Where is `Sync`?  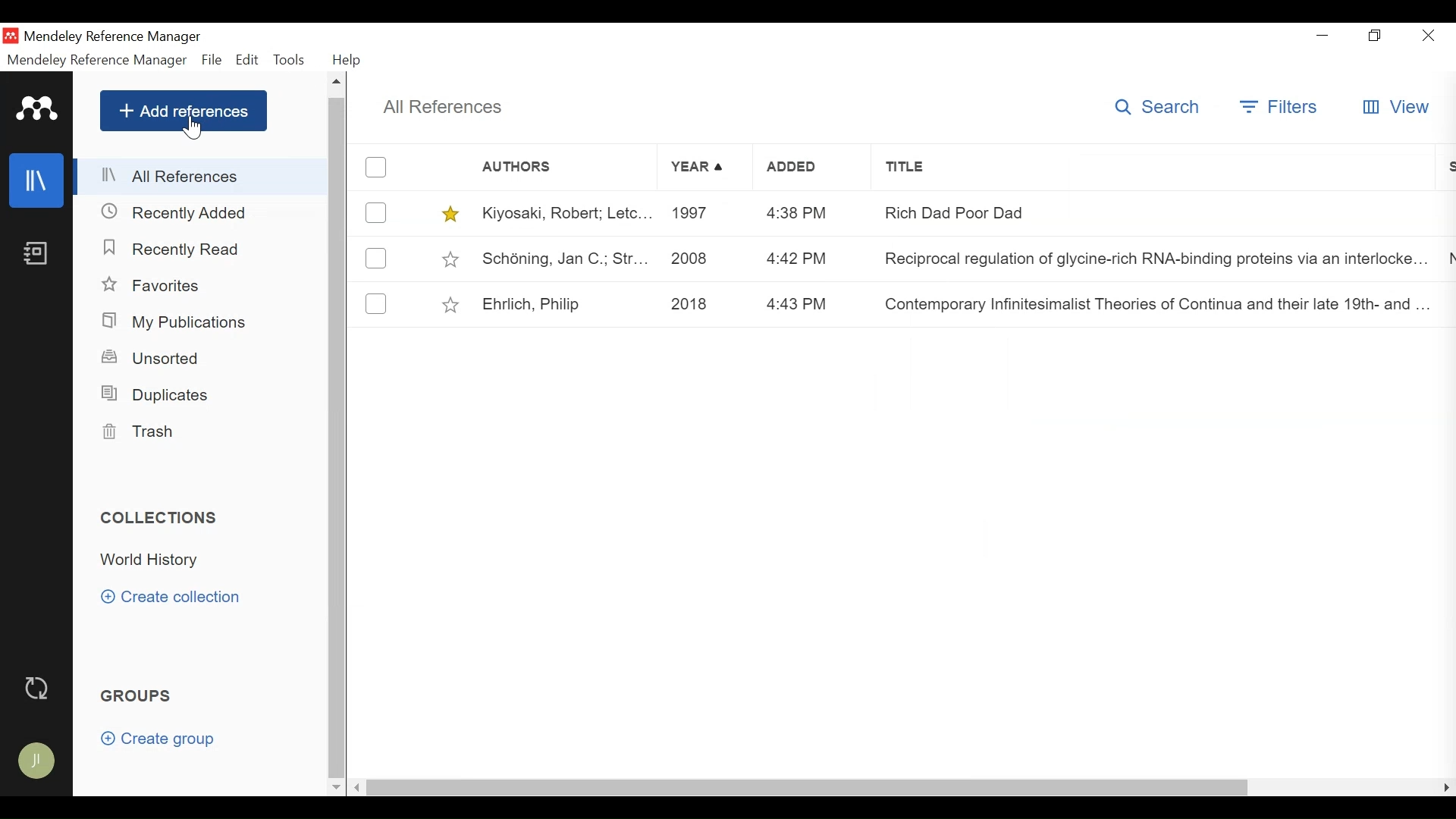
Sync is located at coordinates (36, 687).